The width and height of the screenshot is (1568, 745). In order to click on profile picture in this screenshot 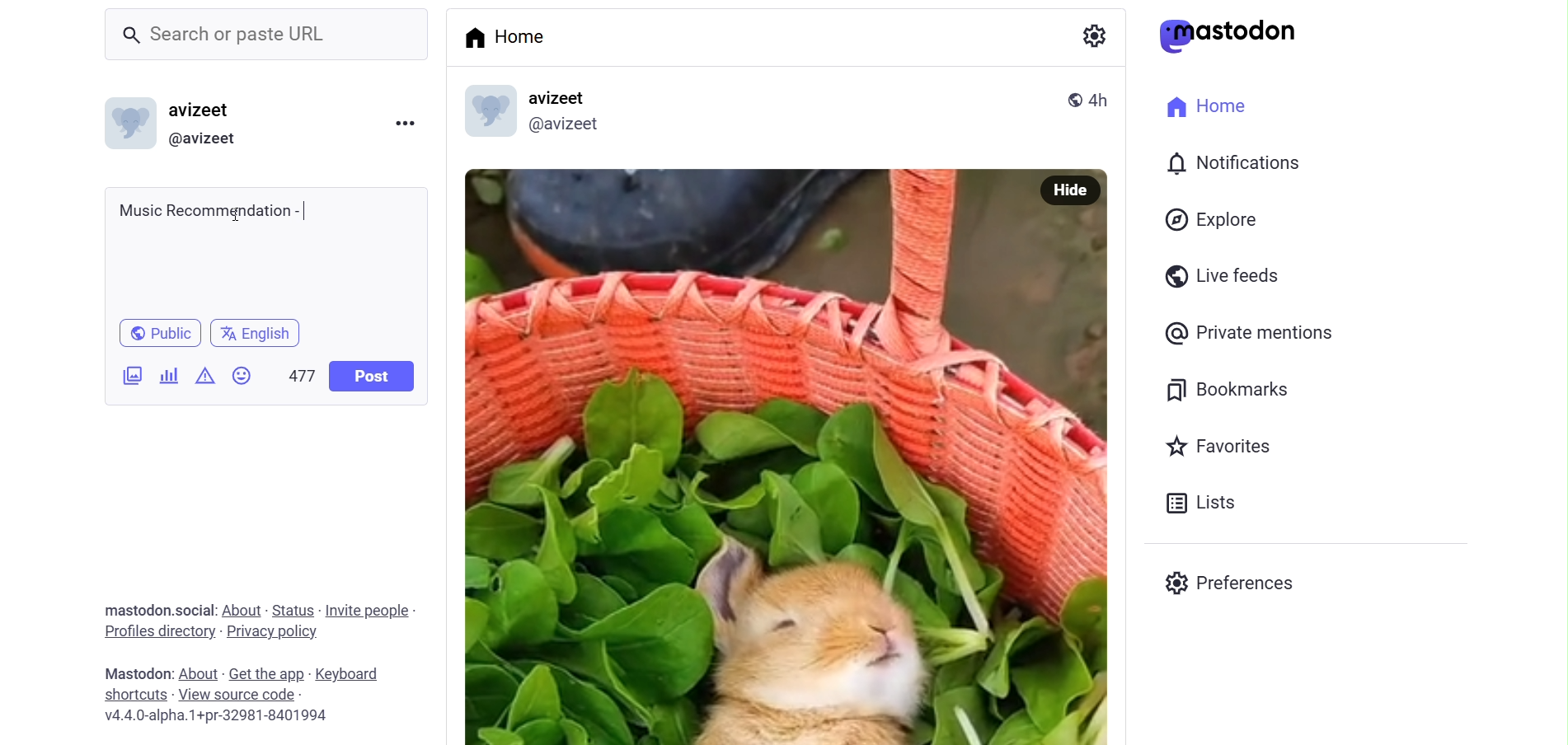, I will do `click(488, 110)`.